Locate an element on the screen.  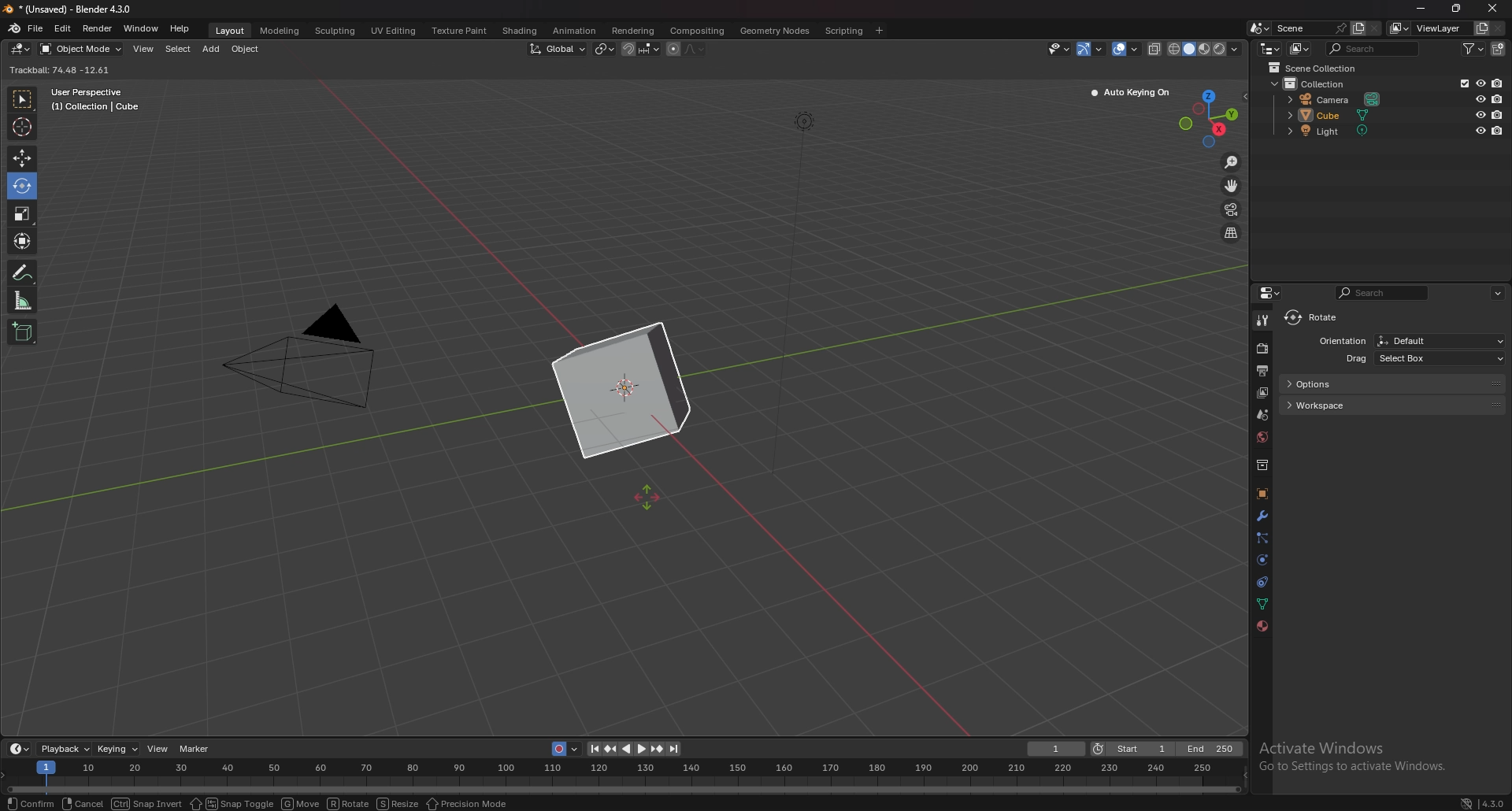
scripting is located at coordinates (844, 30).